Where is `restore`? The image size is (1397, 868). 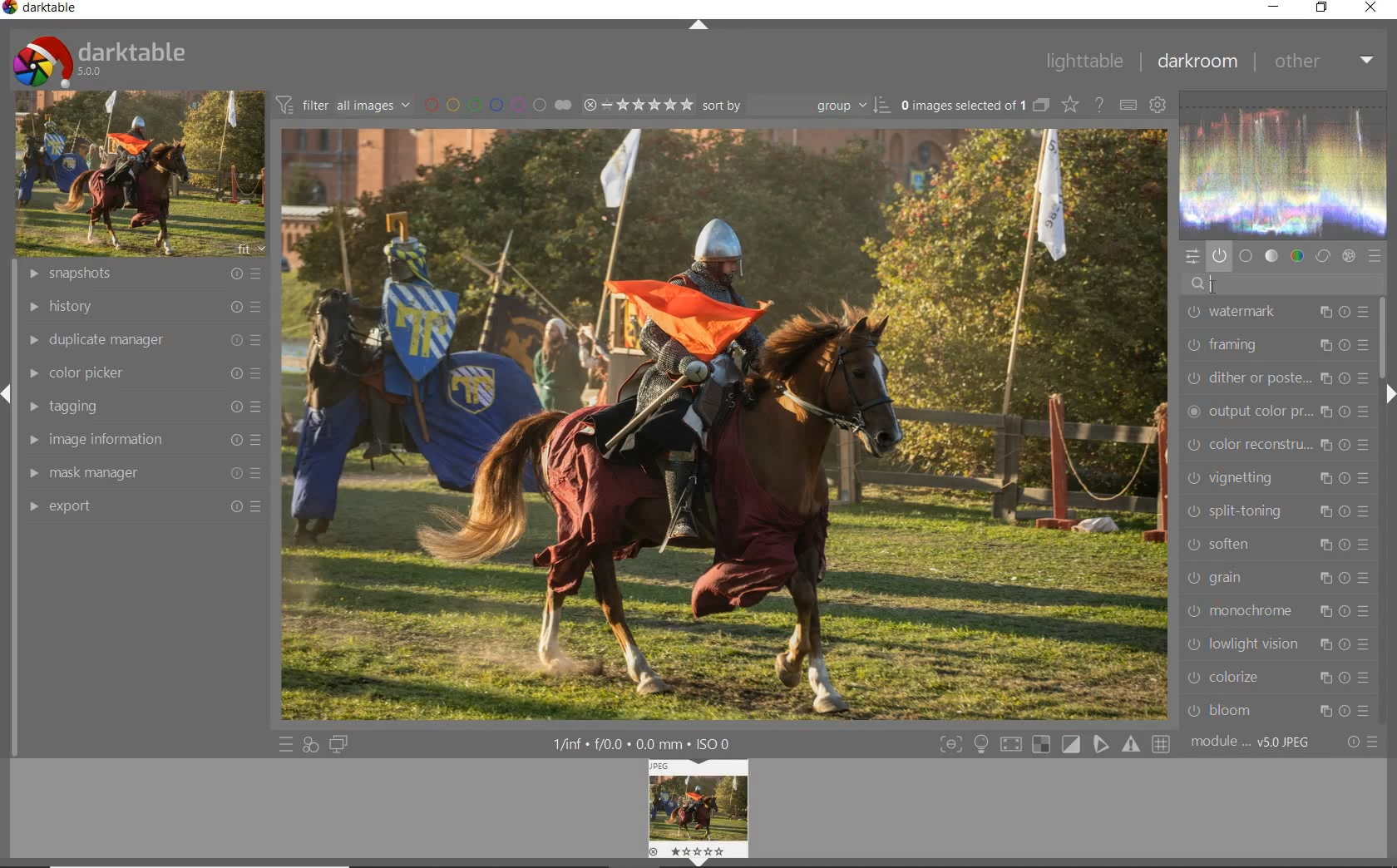 restore is located at coordinates (1323, 10).